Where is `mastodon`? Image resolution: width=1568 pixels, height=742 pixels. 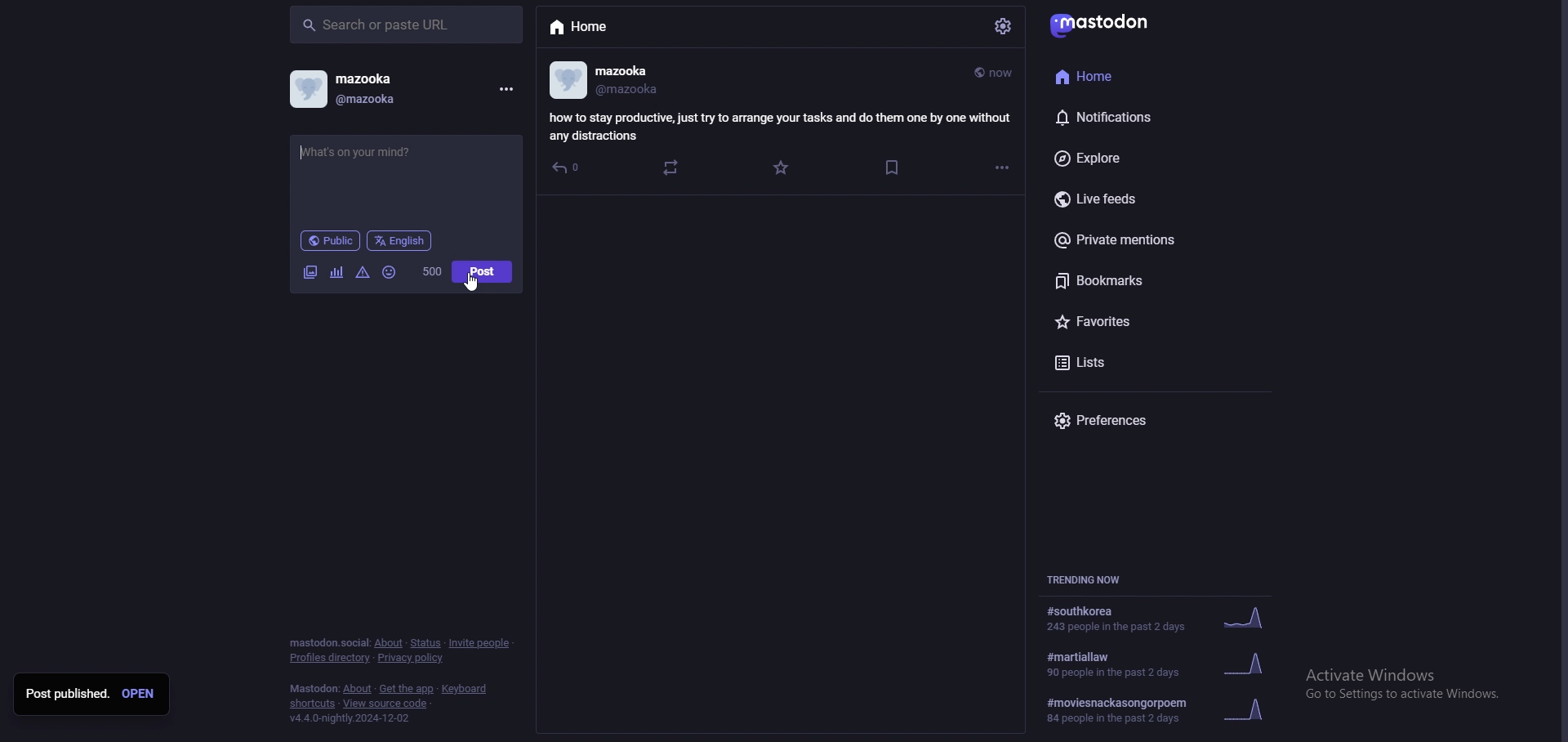 mastodon is located at coordinates (1110, 23).